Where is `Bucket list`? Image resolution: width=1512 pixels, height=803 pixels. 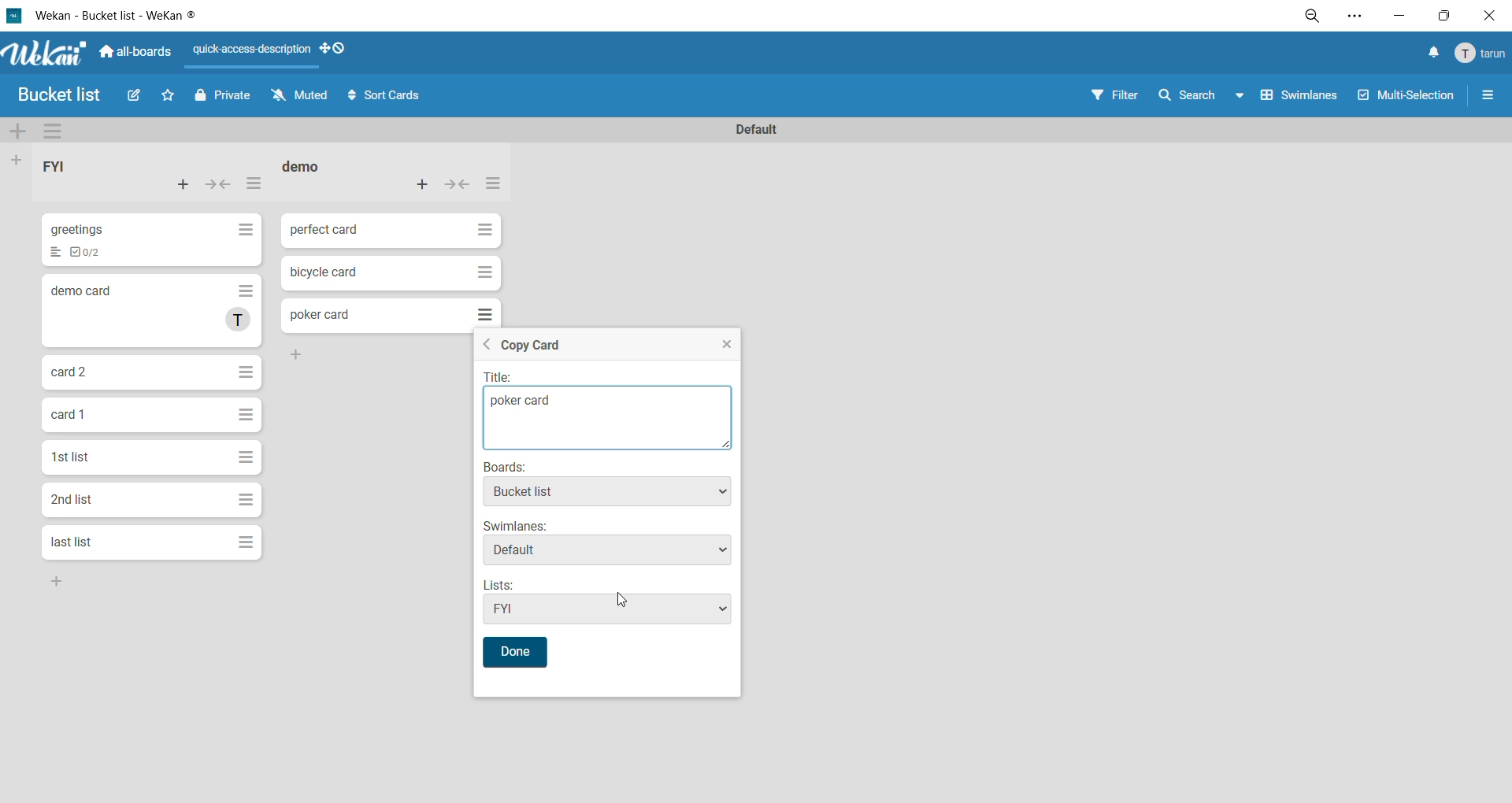 Bucket list is located at coordinates (64, 96).